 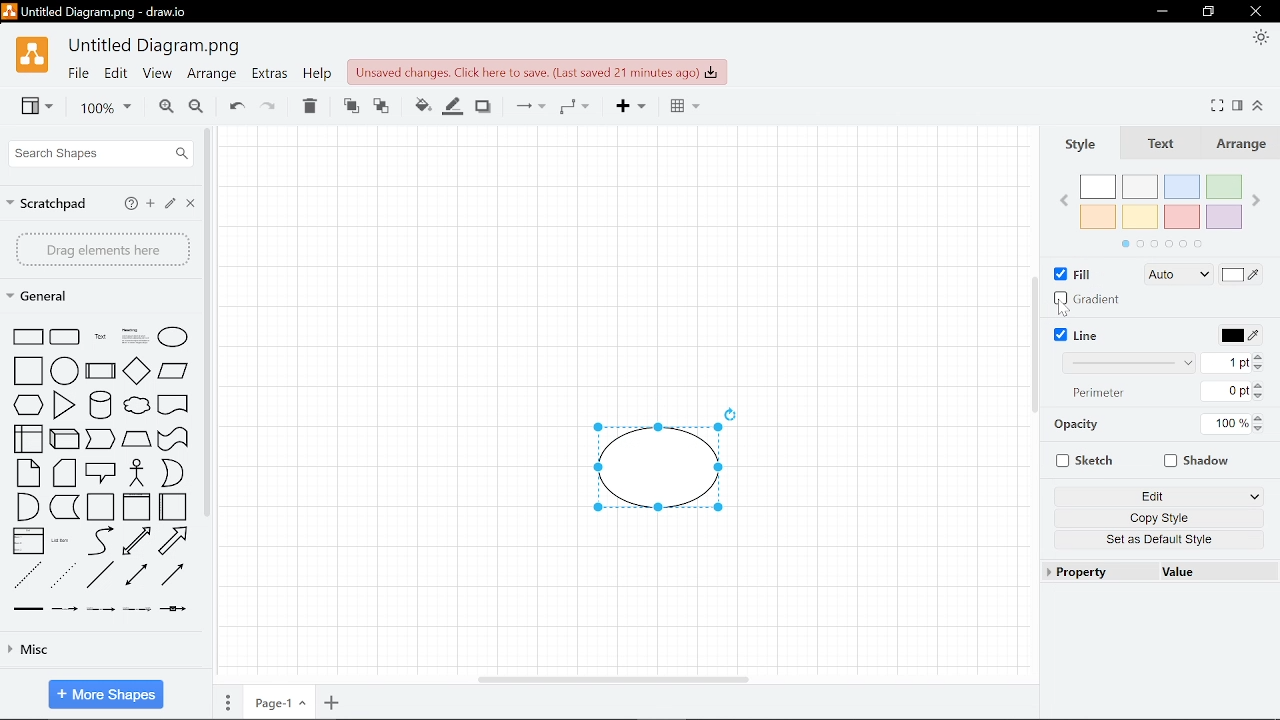 I want to click on Restore down, so click(x=1211, y=11).